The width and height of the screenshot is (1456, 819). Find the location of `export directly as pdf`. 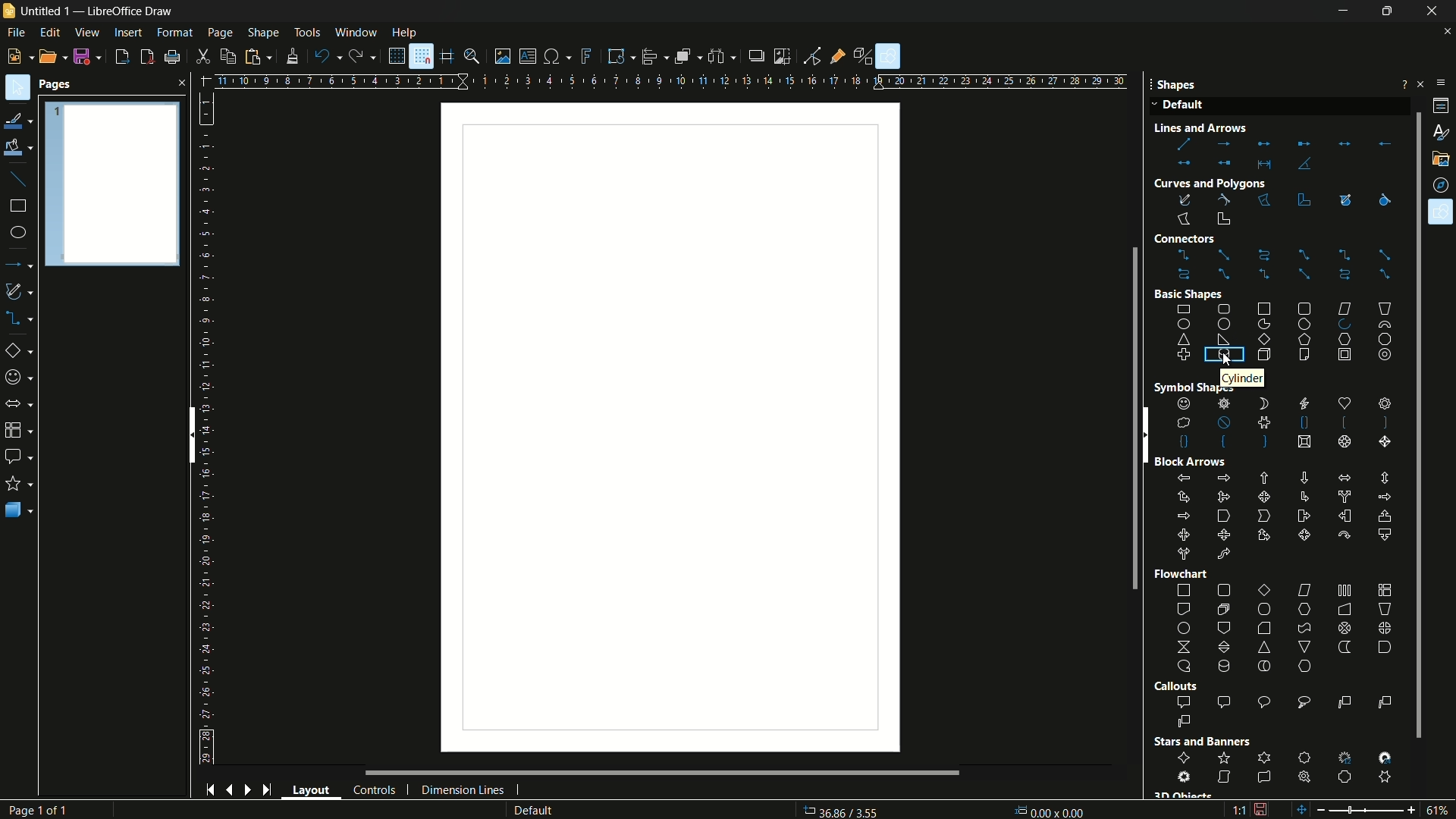

export directly as pdf is located at coordinates (147, 56).